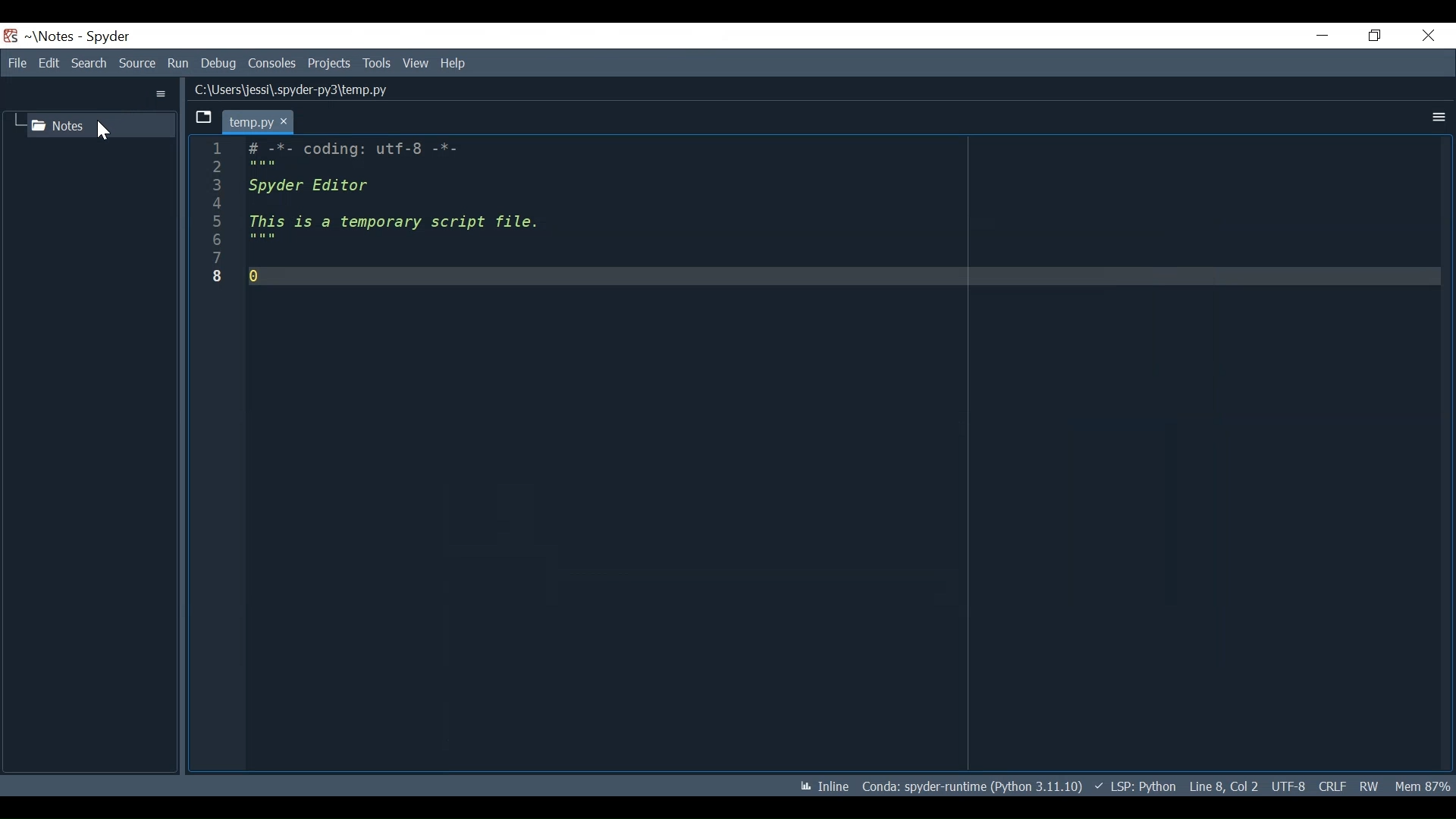 This screenshot has width=1456, height=819. Describe the element at coordinates (89, 63) in the screenshot. I see `Search` at that location.